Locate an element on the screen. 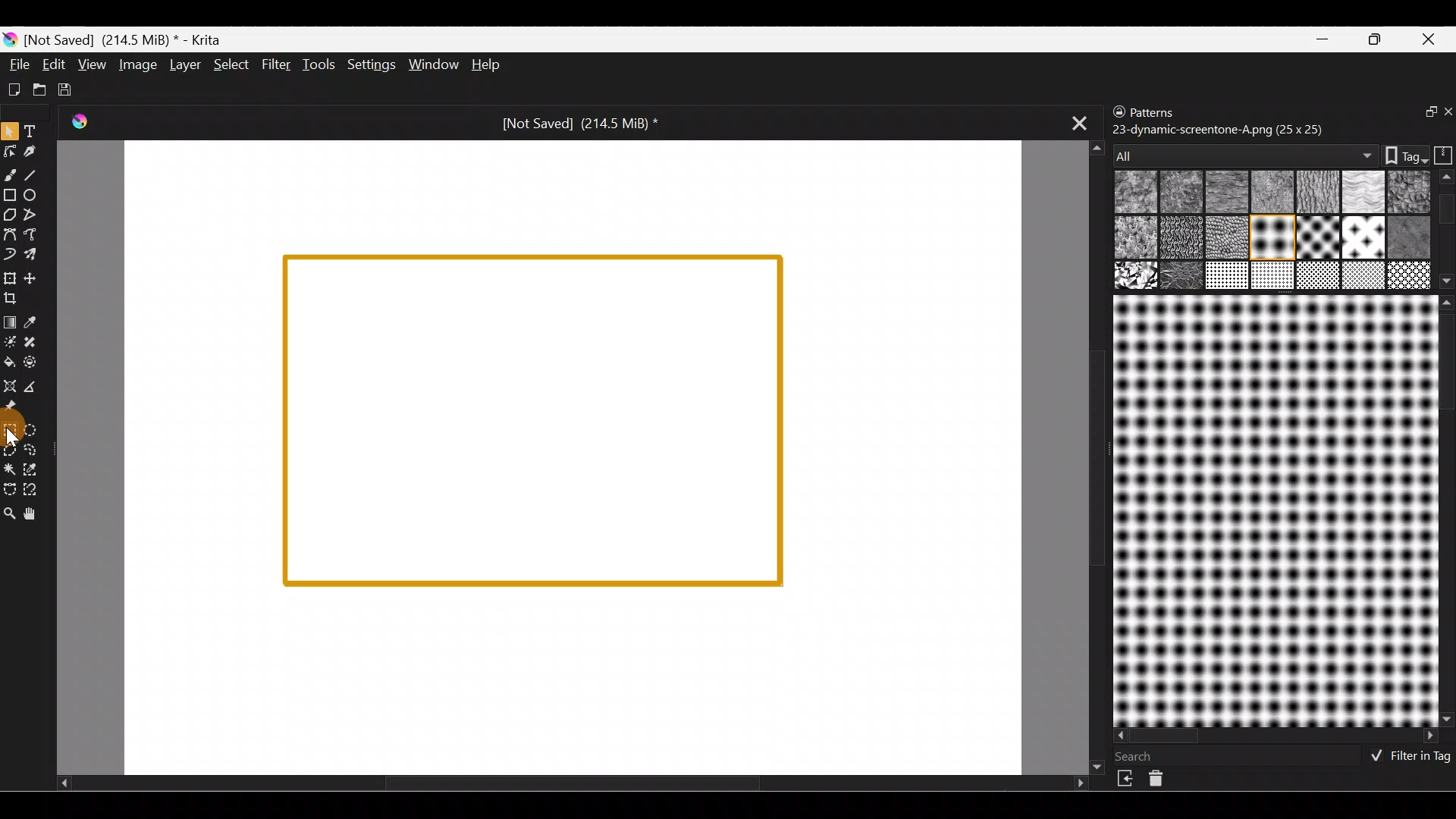 Image resolution: width=1456 pixels, height=819 pixels. Preview is located at coordinates (1272, 510).